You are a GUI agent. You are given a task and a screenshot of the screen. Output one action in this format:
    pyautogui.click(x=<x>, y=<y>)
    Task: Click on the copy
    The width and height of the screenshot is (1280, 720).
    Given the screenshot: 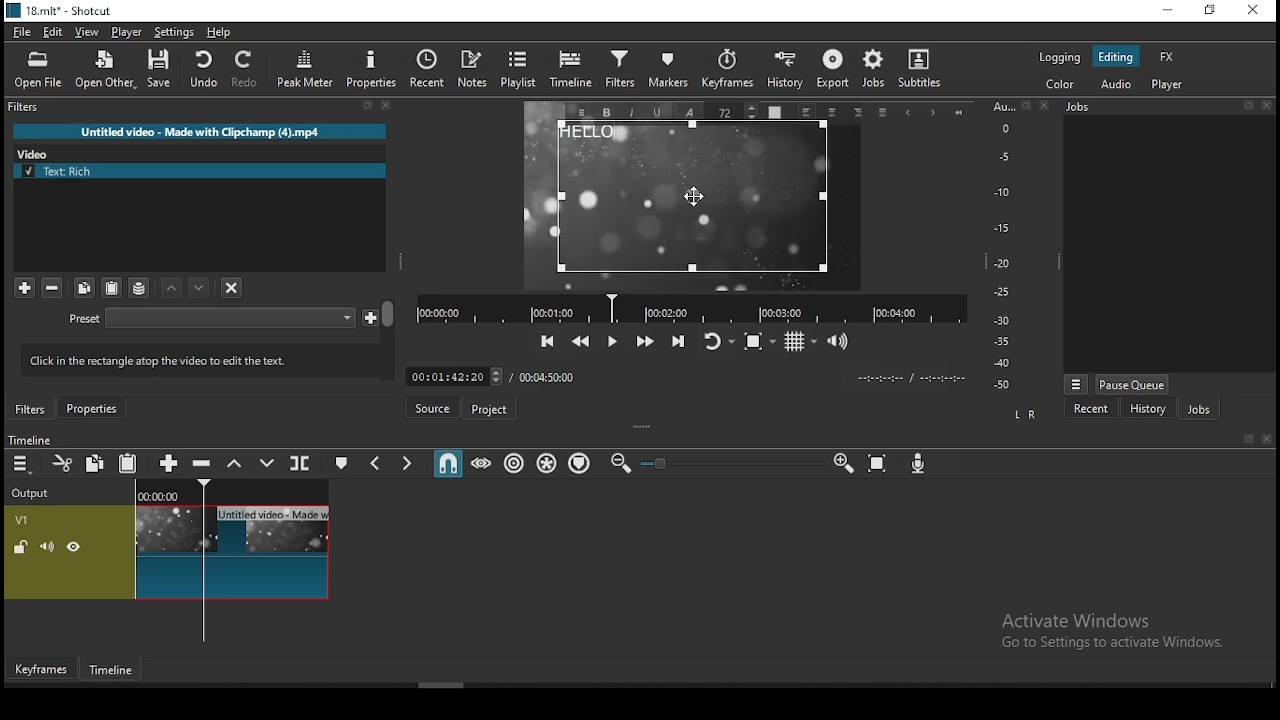 What is the action you would take?
    pyautogui.click(x=95, y=462)
    